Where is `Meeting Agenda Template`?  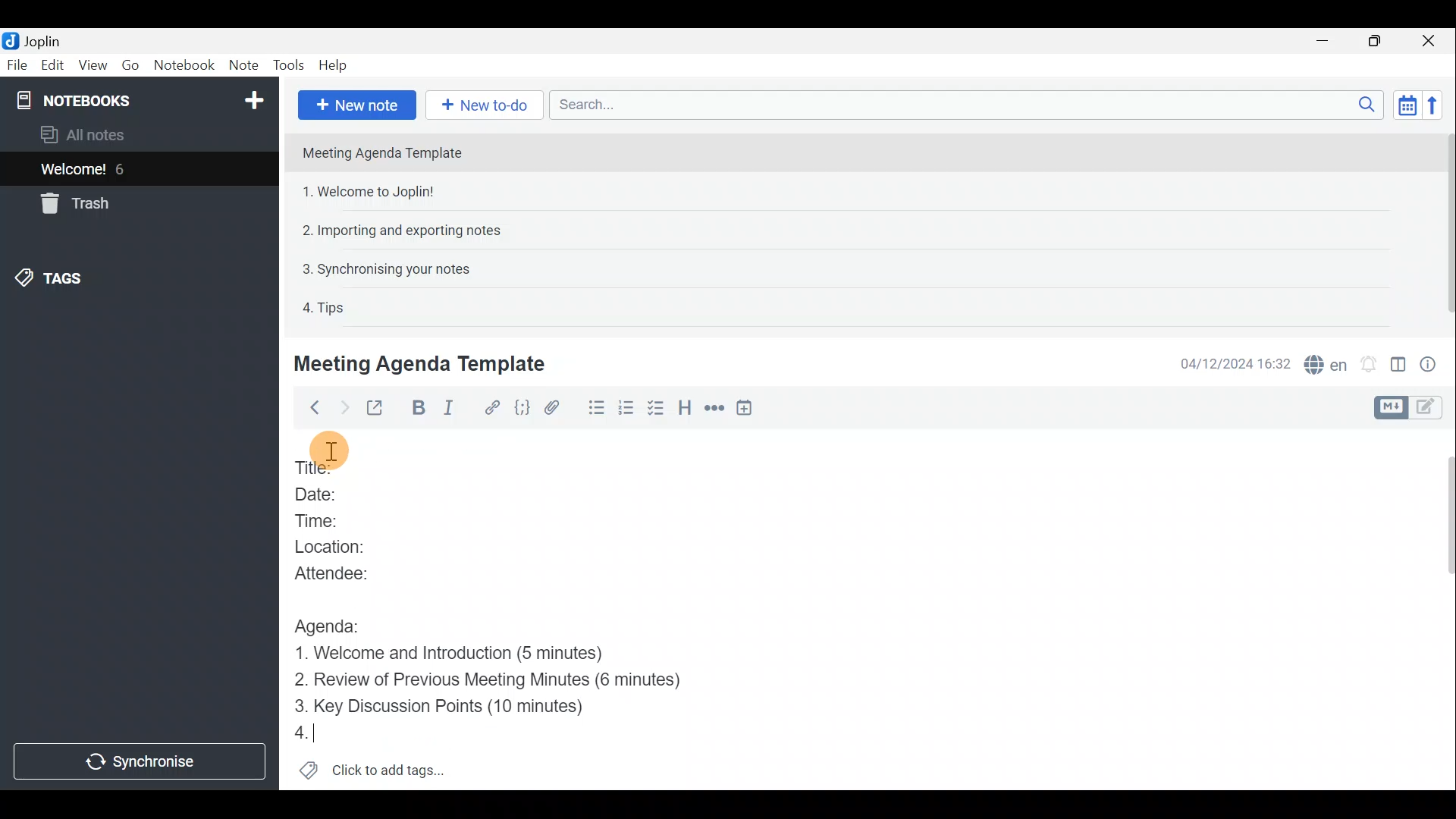
Meeting Agenda Template is located at coordinates (384, 152).